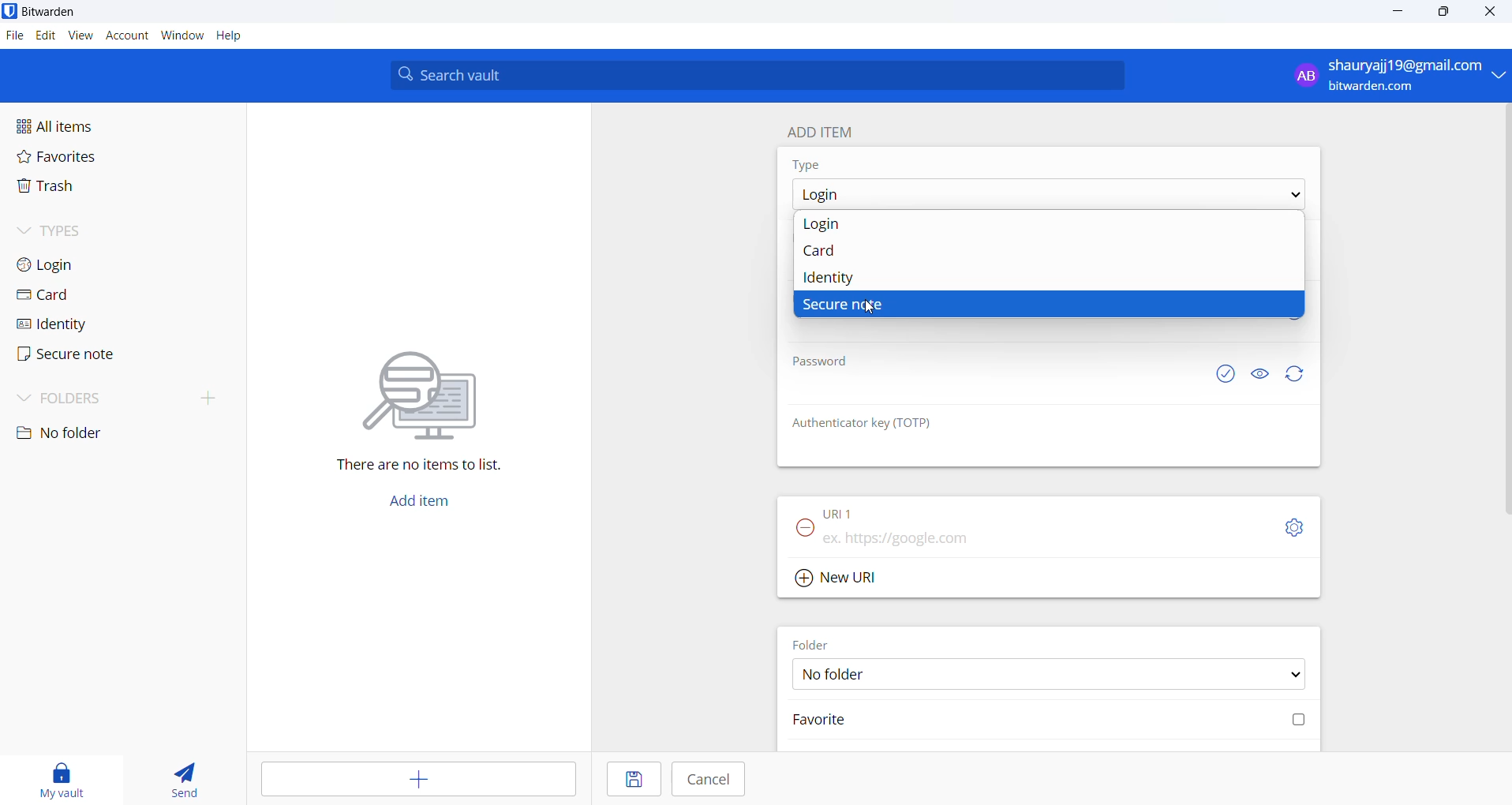 The height and width of the screenshot is (805, 1512). Describe the element at coordinates (1503, 310) in the screenshot. I see `scrollbar` at that location.